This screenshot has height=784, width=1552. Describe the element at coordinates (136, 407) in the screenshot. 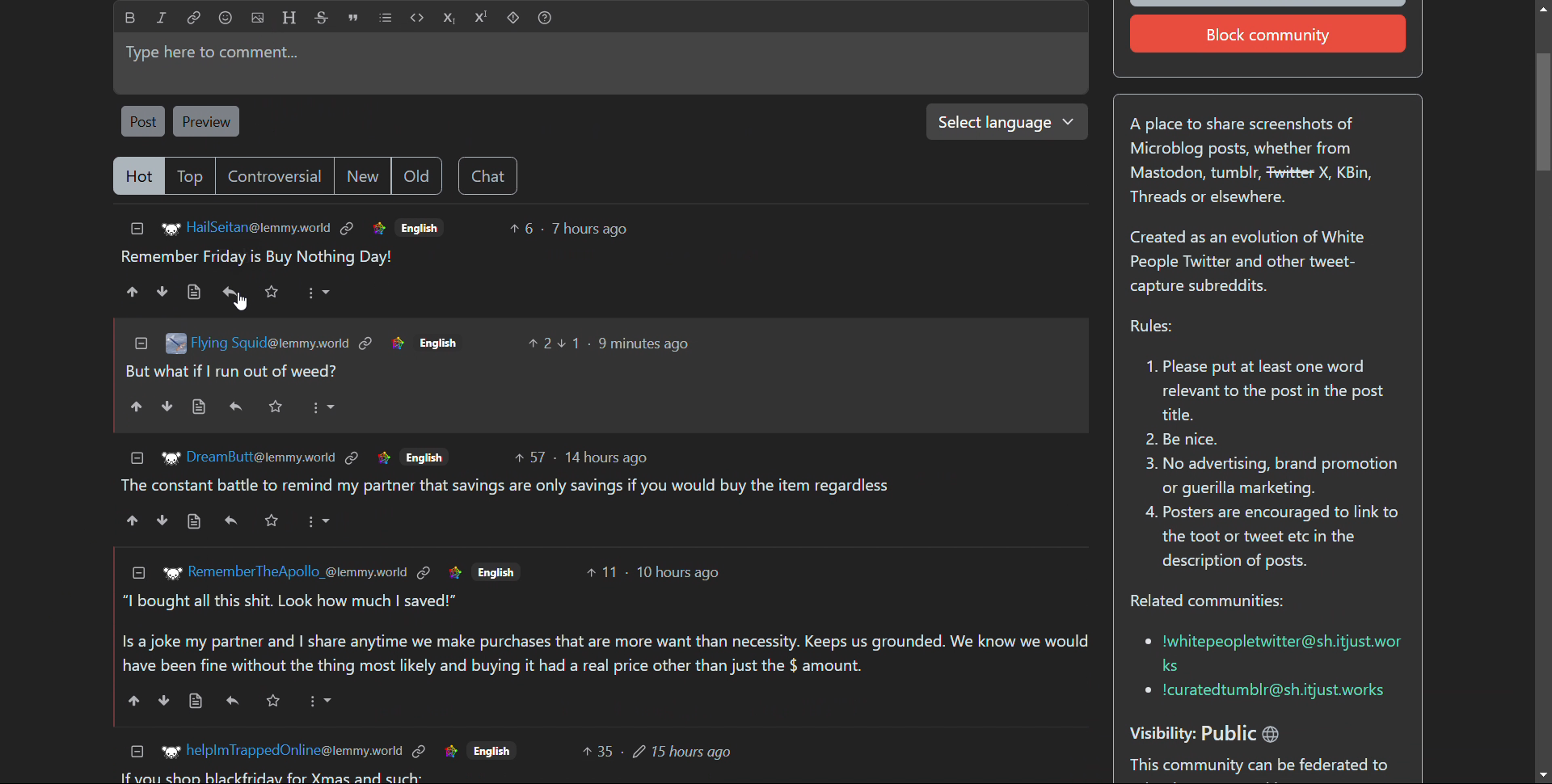

I see `upvote` at that location.